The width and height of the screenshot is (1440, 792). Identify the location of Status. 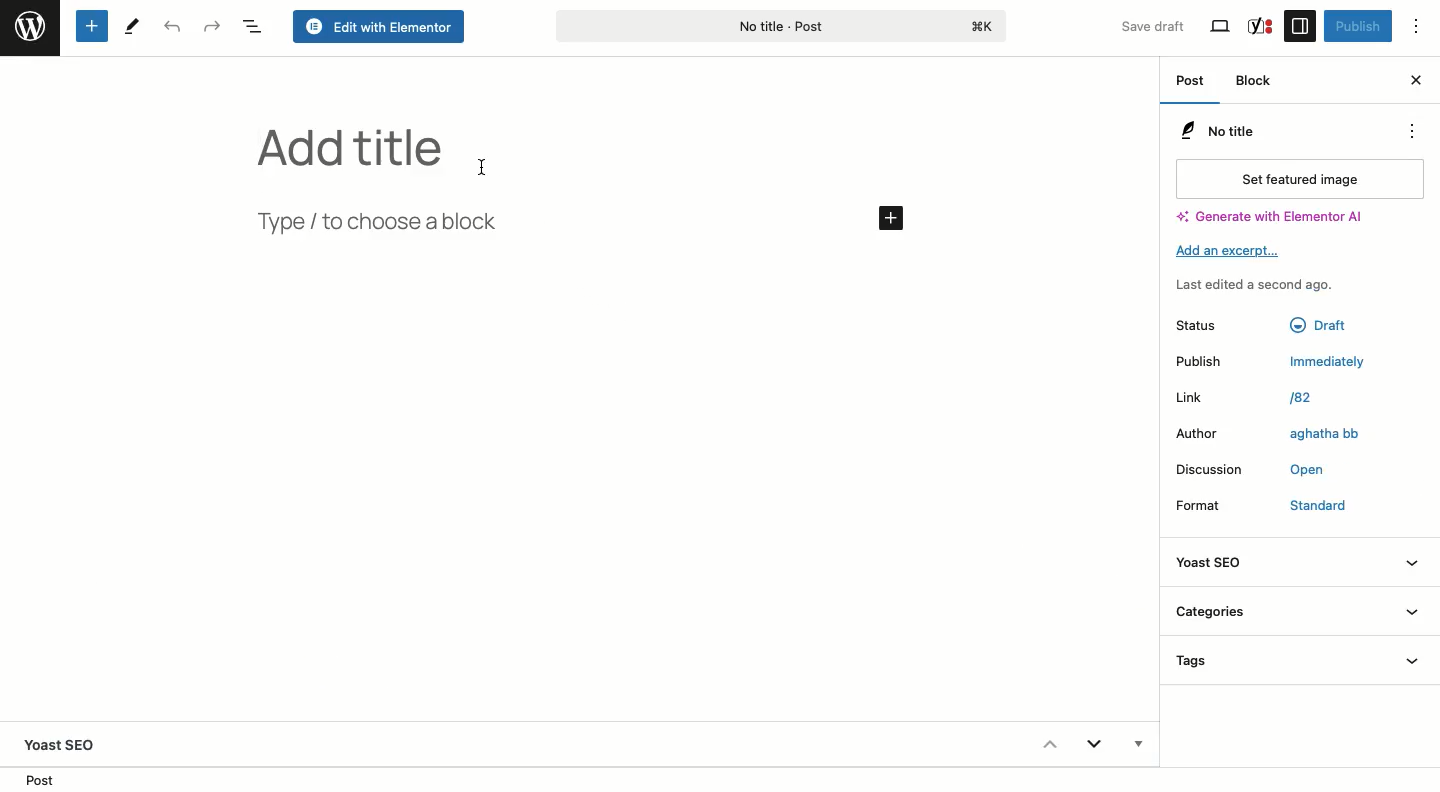
(1201, 325).